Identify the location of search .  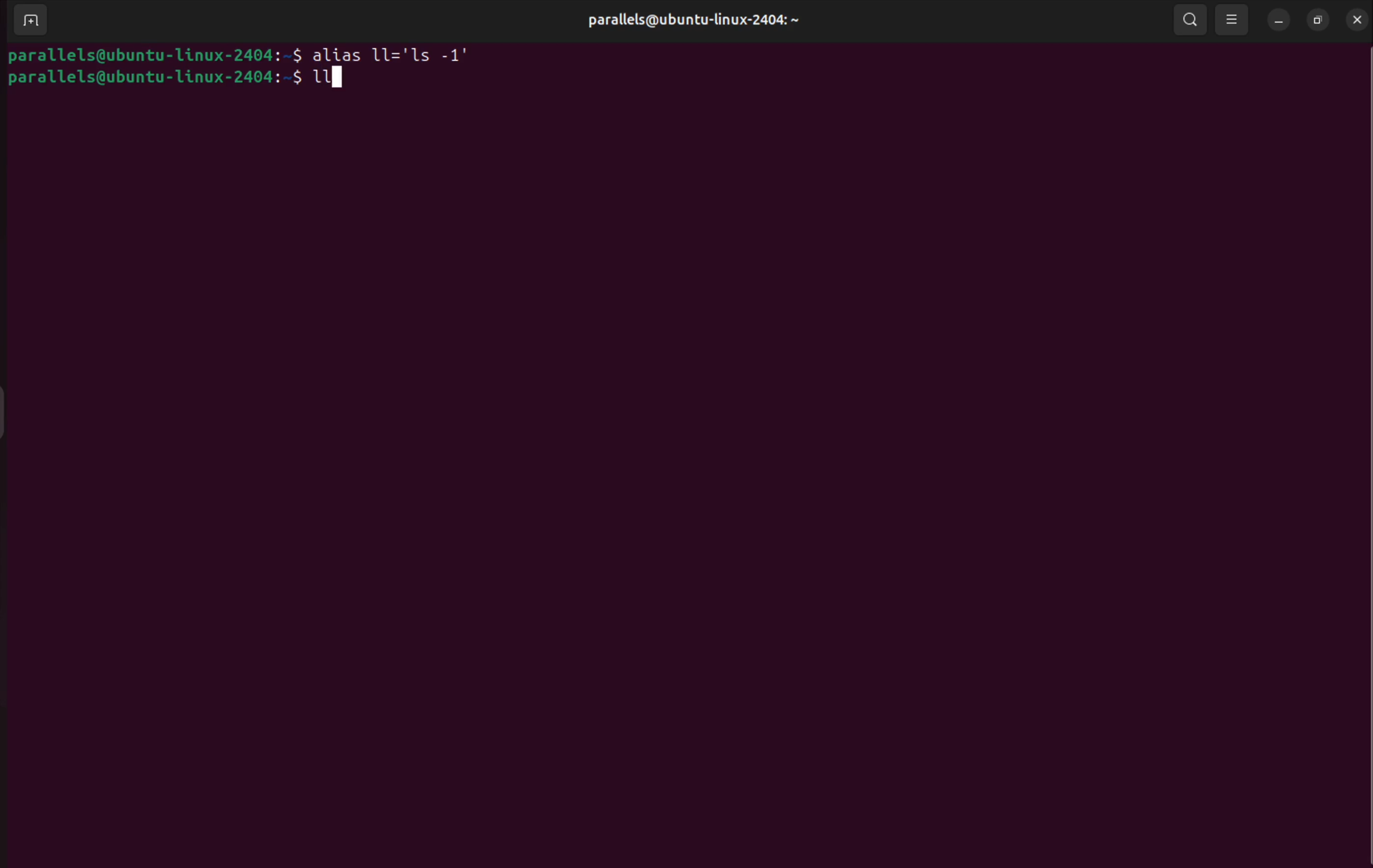
(1191, 19).